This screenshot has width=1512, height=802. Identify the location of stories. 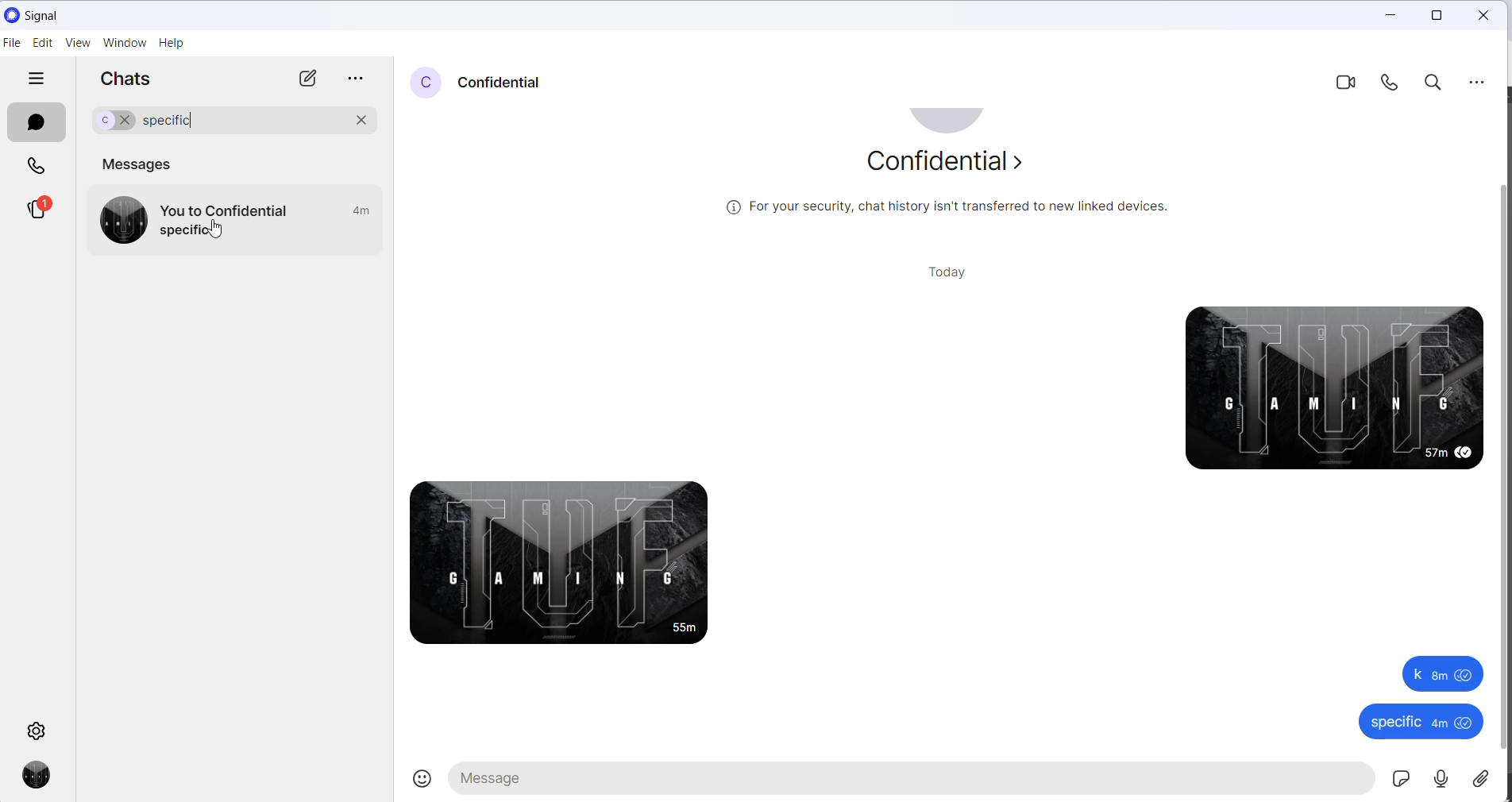
(39, 210).